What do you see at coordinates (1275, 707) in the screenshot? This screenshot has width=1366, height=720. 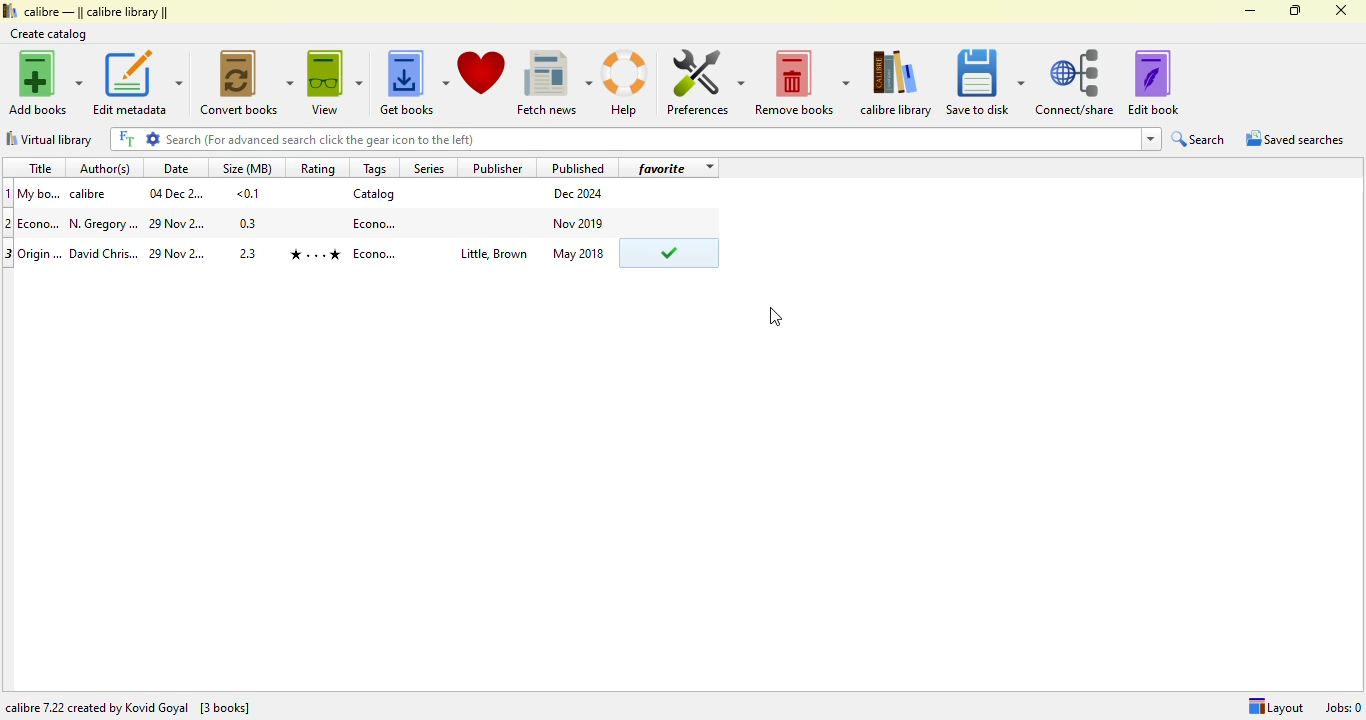 I see `Layout` at bounding box center [1275, 707].